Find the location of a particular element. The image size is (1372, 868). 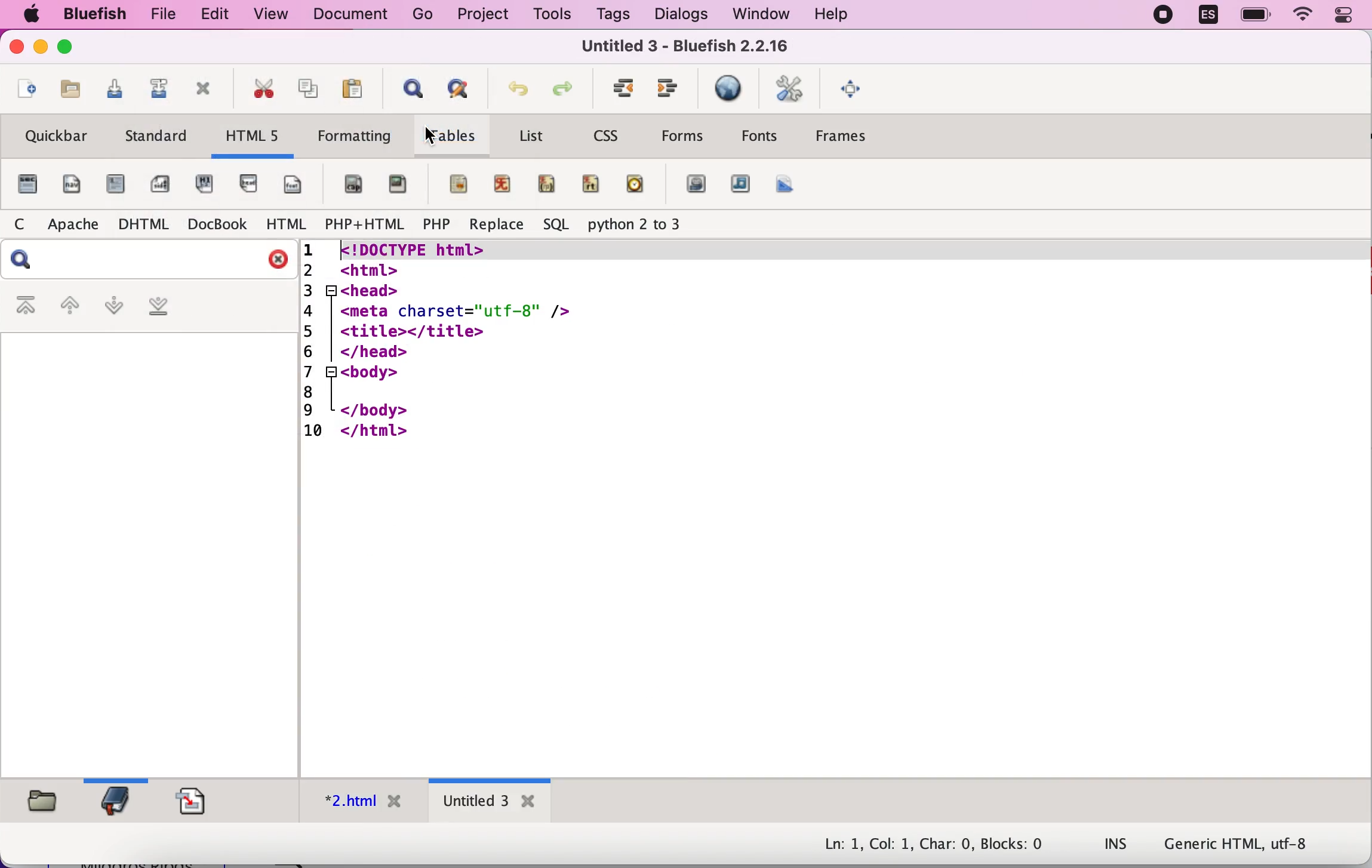

next bookmark is located at coordinates (112, 309).